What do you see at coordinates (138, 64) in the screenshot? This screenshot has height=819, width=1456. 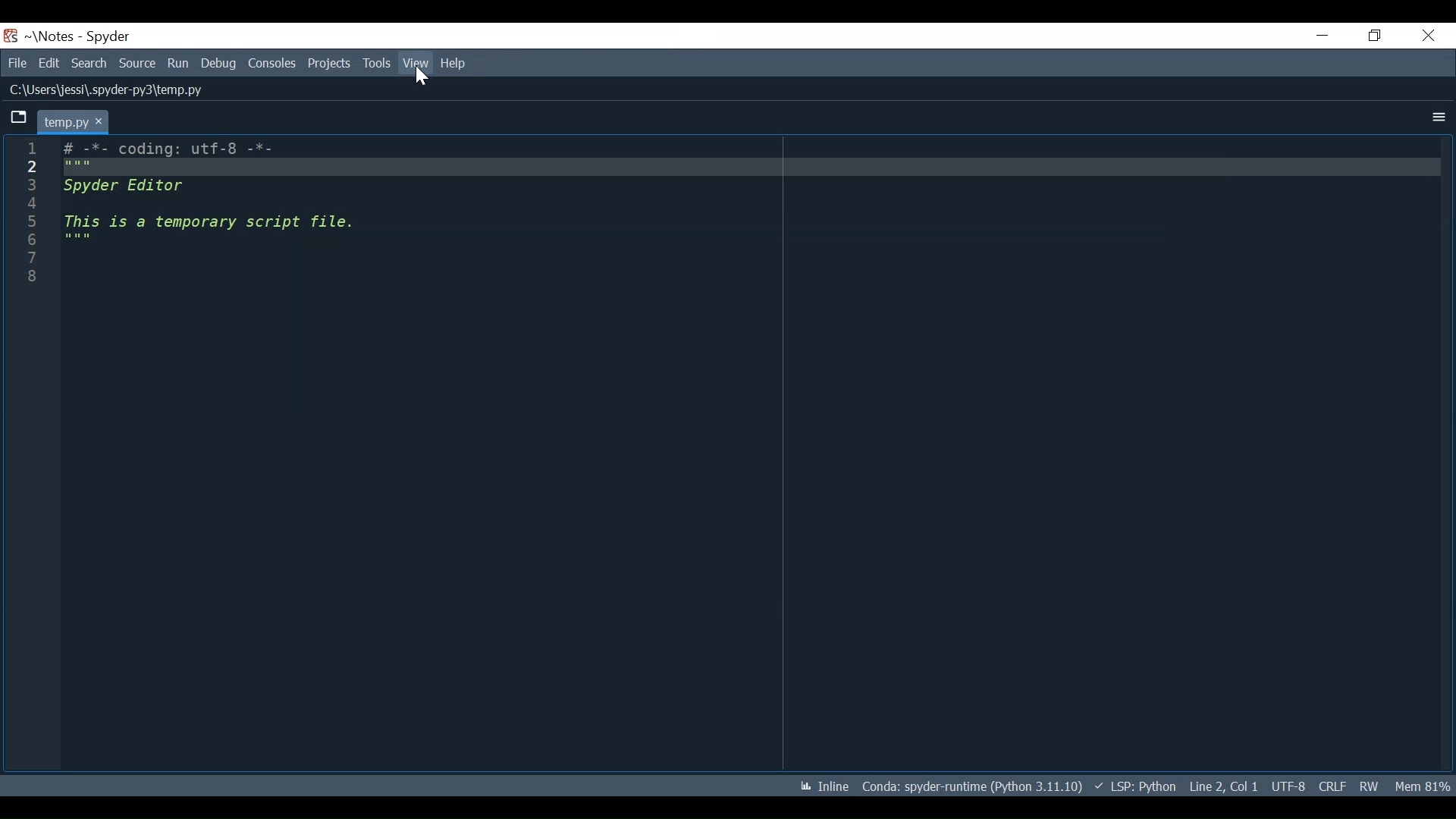 I see `Source` at bounding box center [138, 64].